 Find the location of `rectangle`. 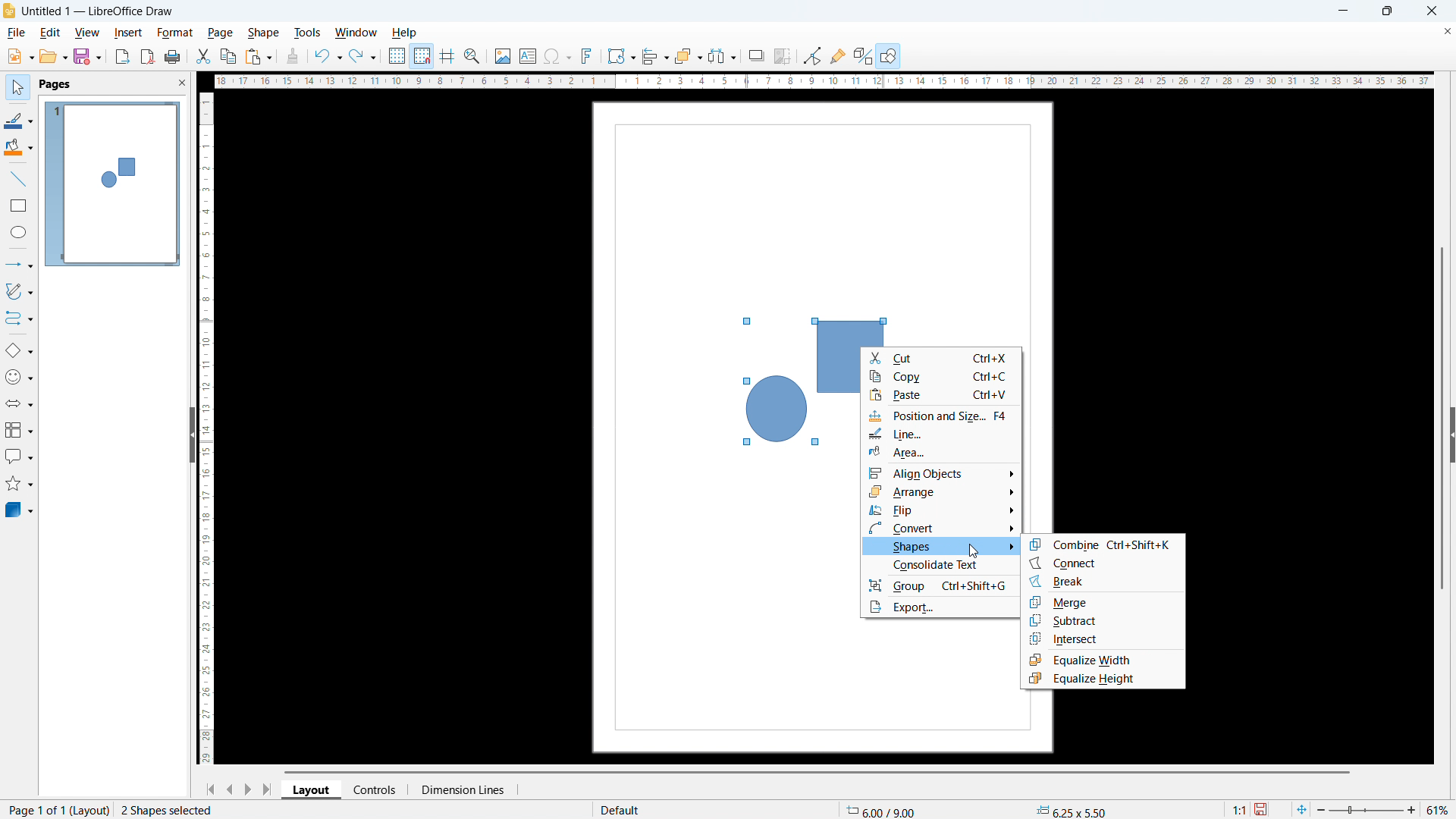

rectangle is located at coordinates (18, 205).